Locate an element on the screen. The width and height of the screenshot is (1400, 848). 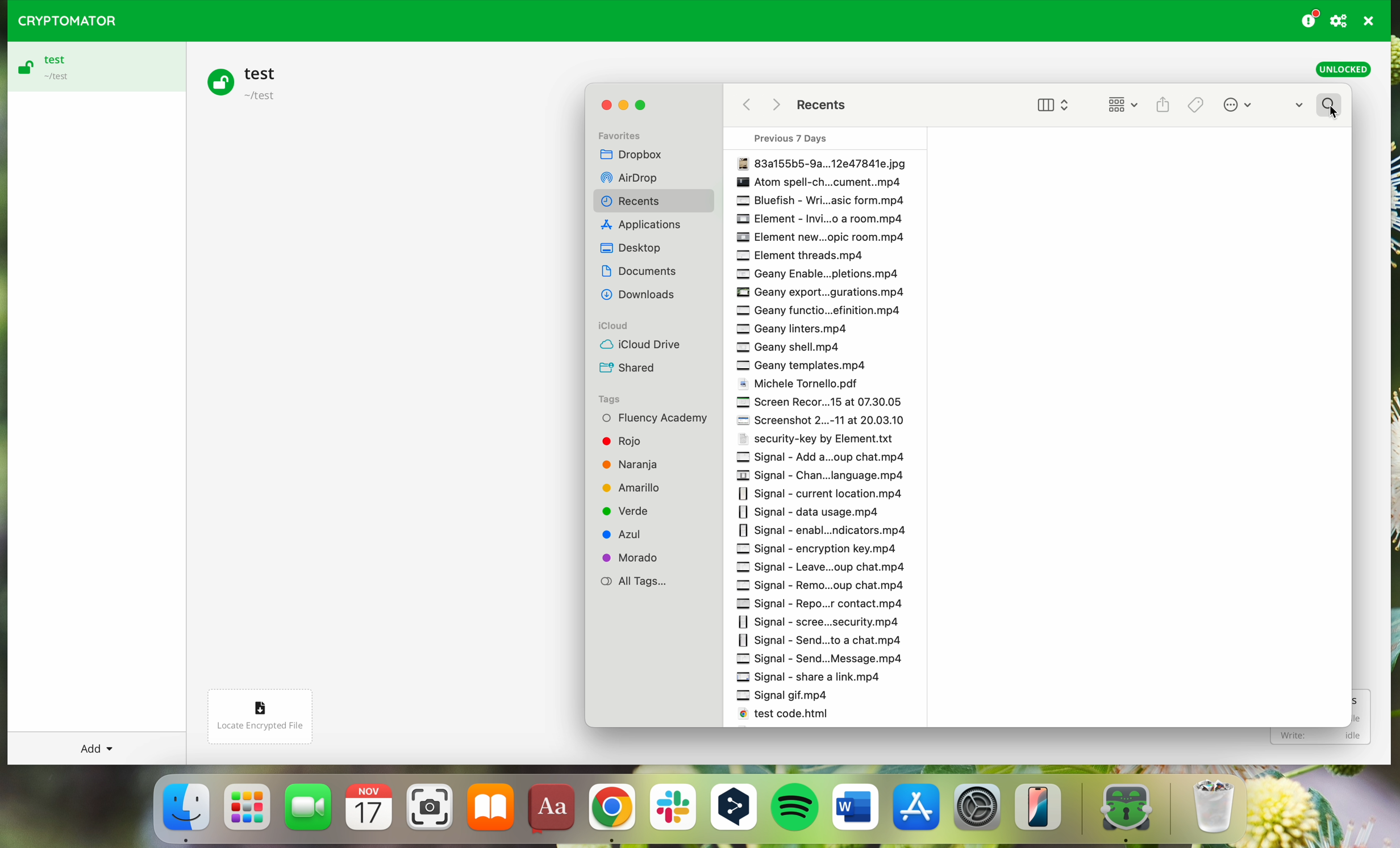
signal chan language is located at coordinates (826, 474).